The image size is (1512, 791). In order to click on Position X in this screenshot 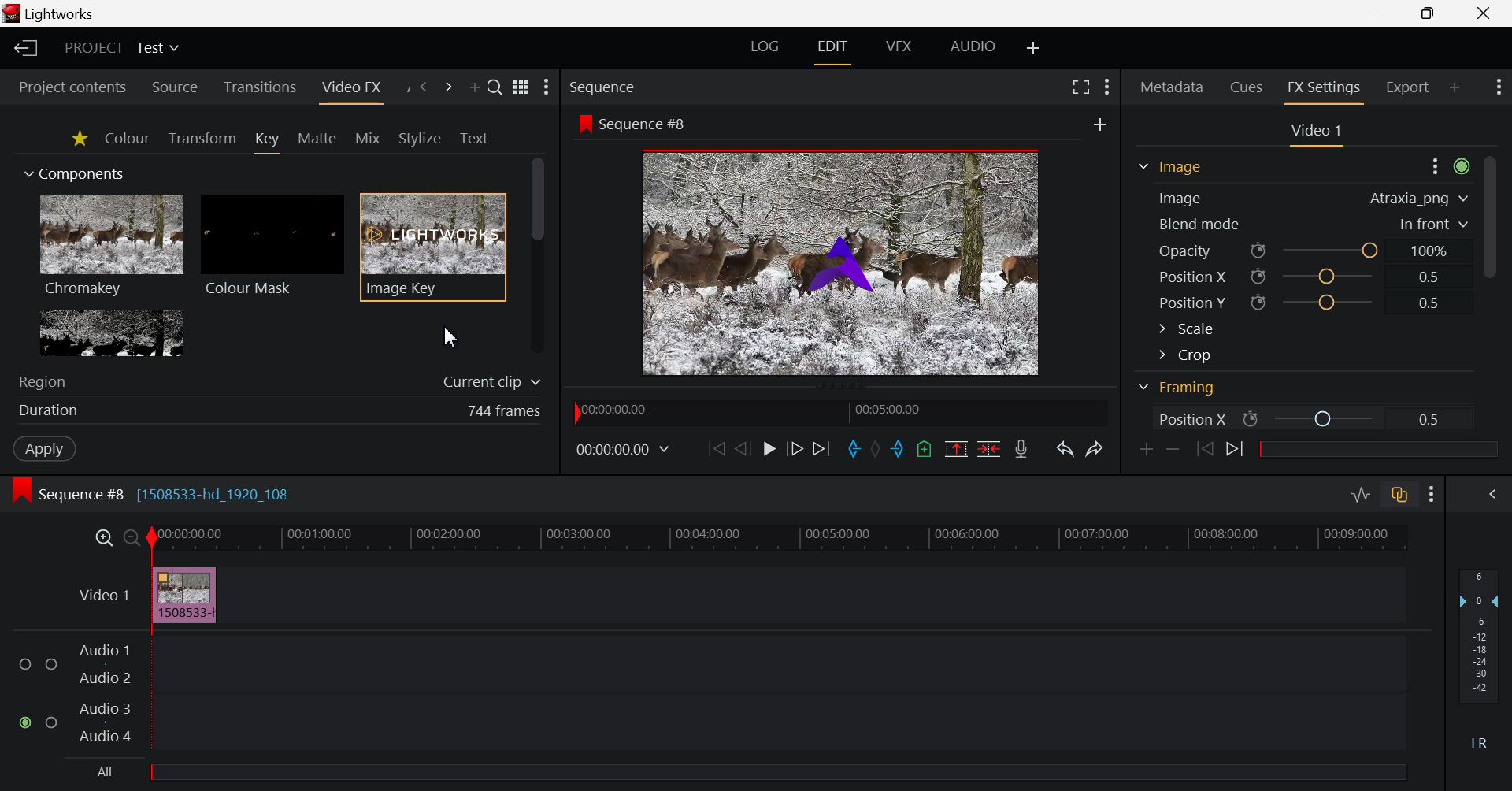, I will do `click(1331, 278)`.